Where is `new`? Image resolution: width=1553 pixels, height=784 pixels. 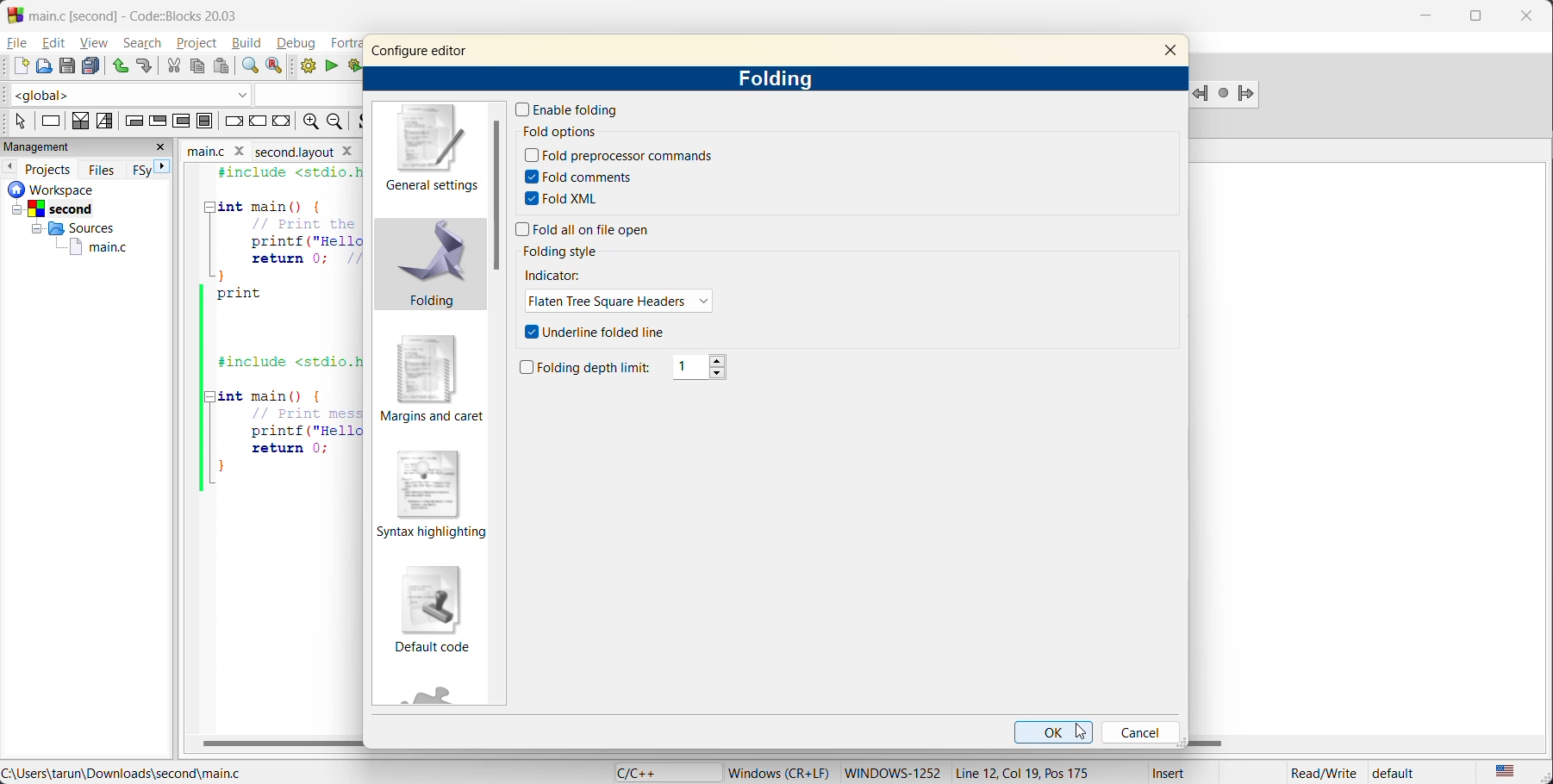 new is located at coordinates (16, 66).